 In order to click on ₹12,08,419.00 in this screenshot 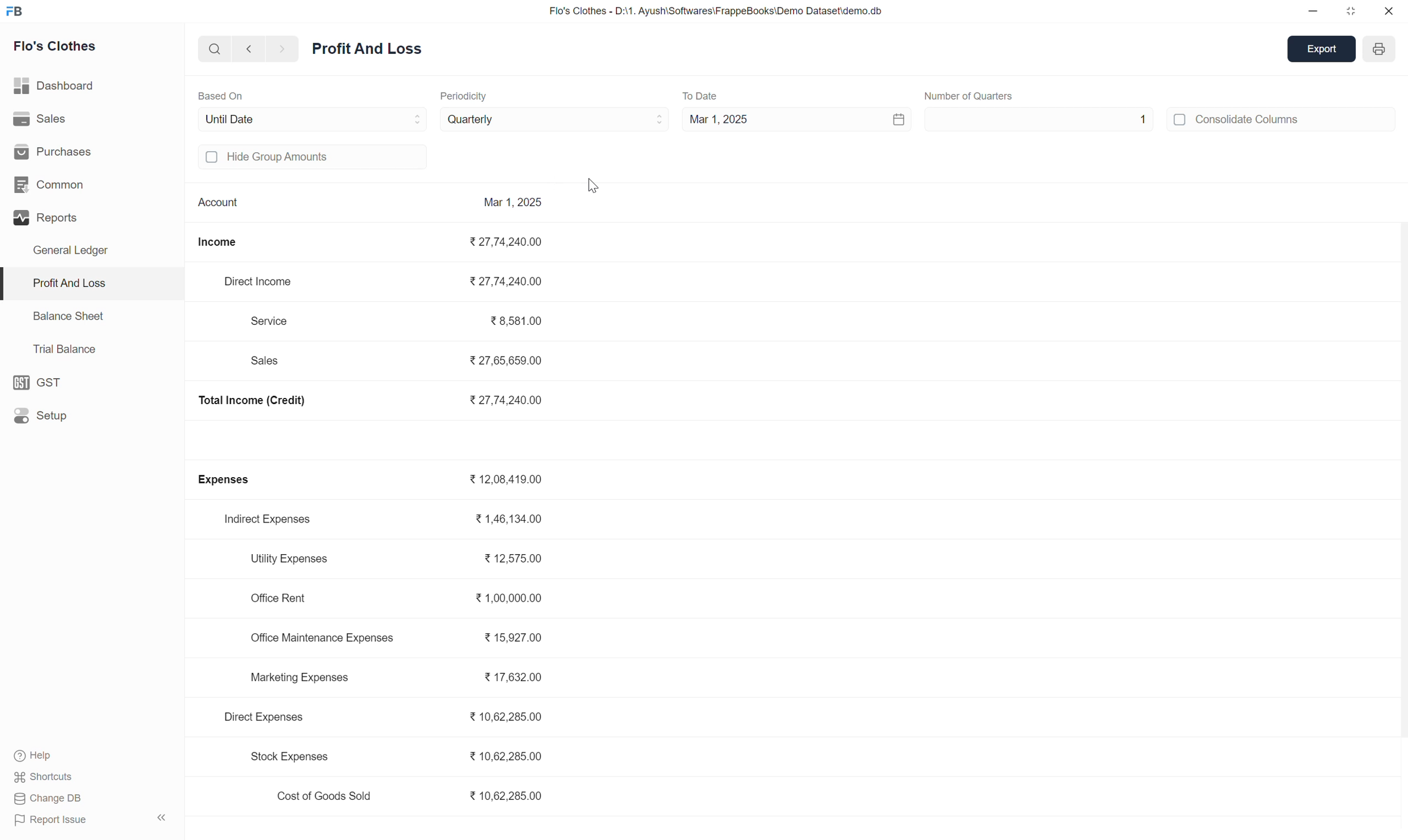, I will do `click(508, 478)`.